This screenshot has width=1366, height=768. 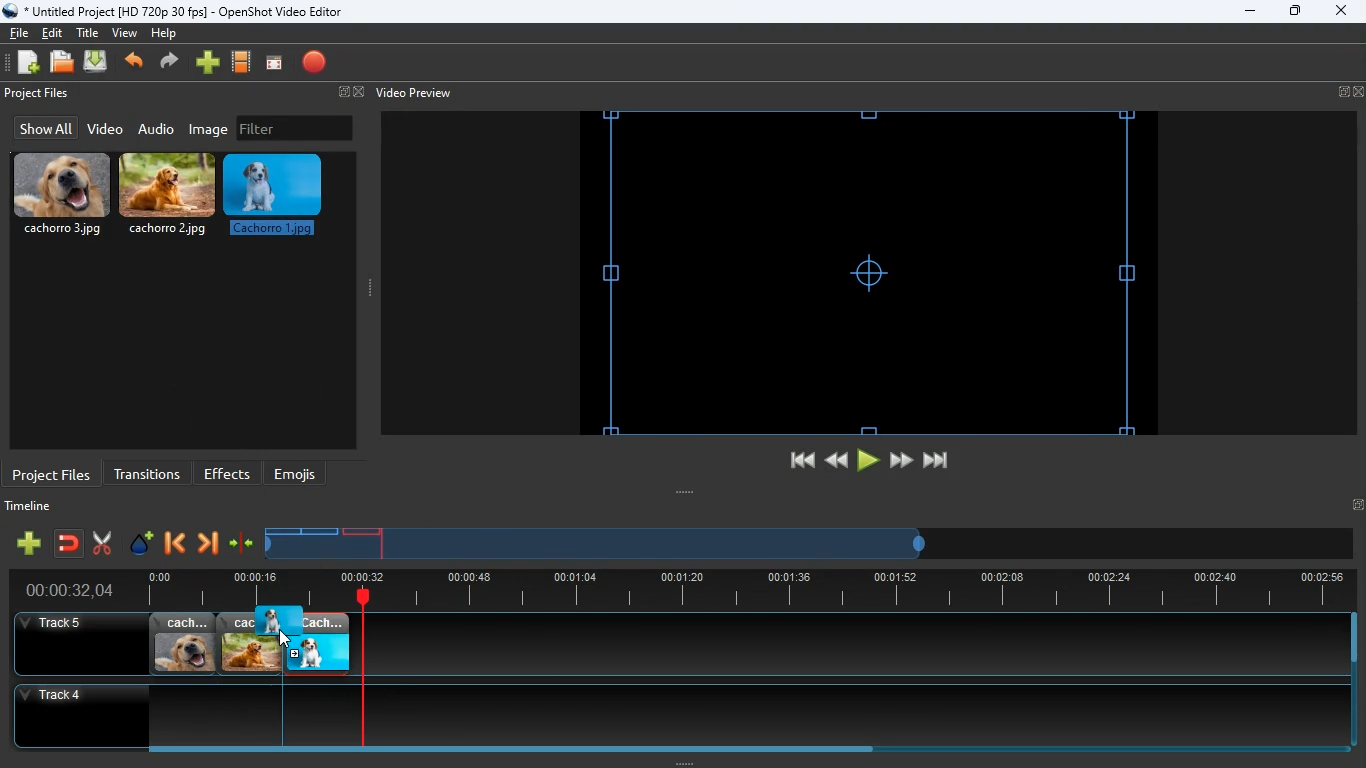 What do you see at coordinates (52, 473) in the screenshot?
I see `project files` at bounding box center [52, 473].